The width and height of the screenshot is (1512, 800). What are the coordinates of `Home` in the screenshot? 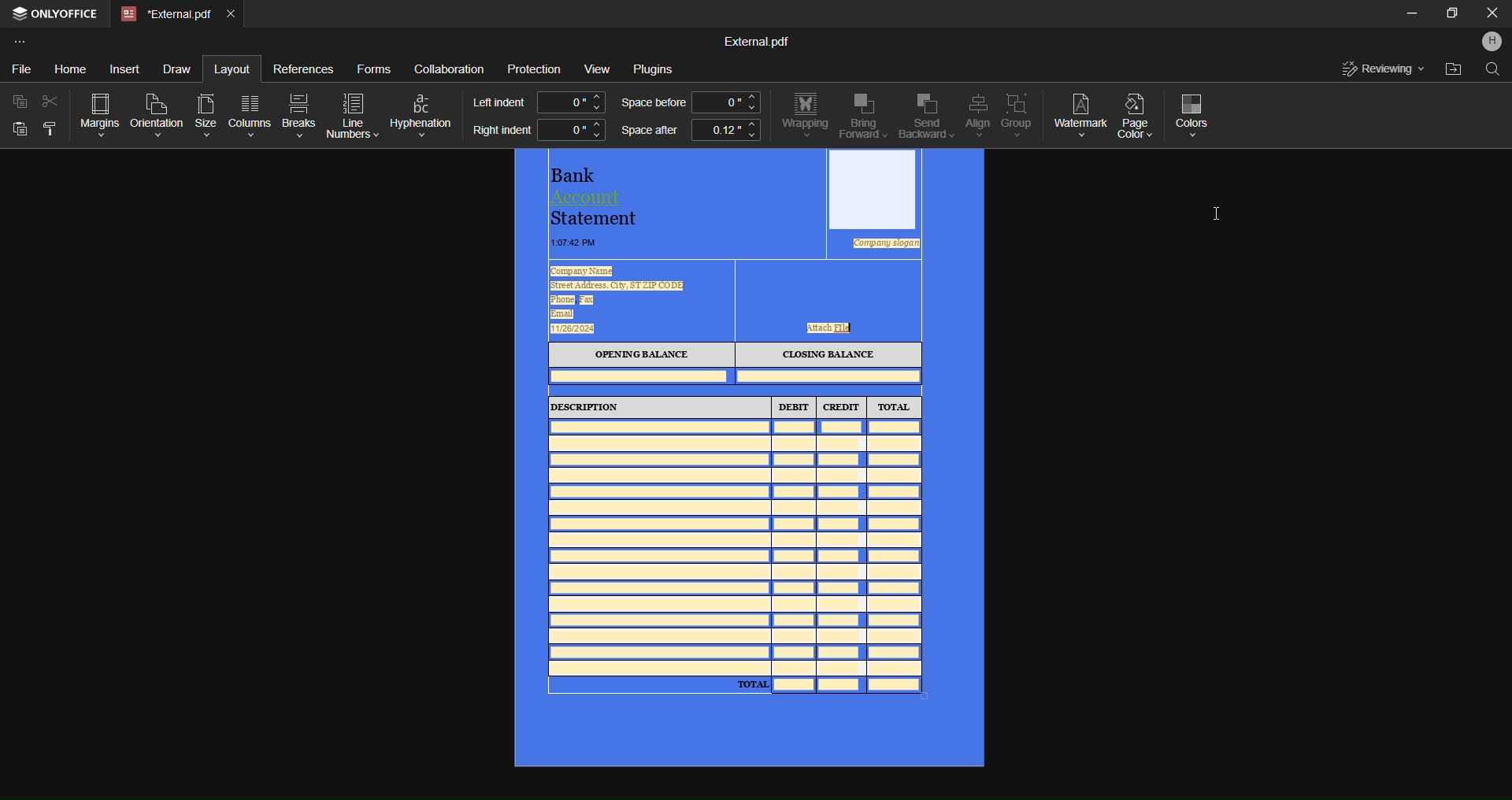 It's located at (71, 68).